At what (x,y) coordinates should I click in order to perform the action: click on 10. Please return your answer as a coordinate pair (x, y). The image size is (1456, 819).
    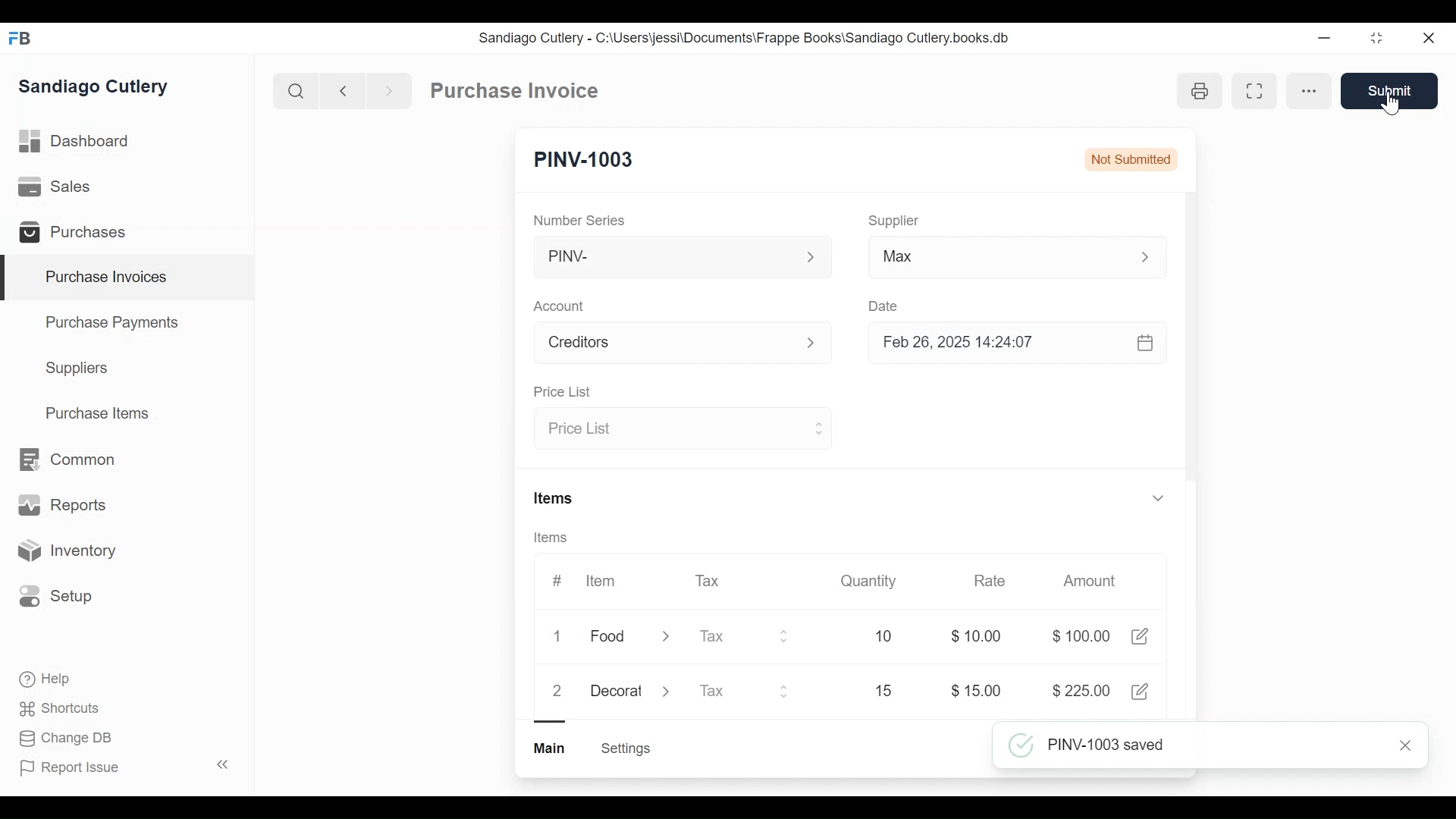
    Looking at the image, I should click on (866, 636).